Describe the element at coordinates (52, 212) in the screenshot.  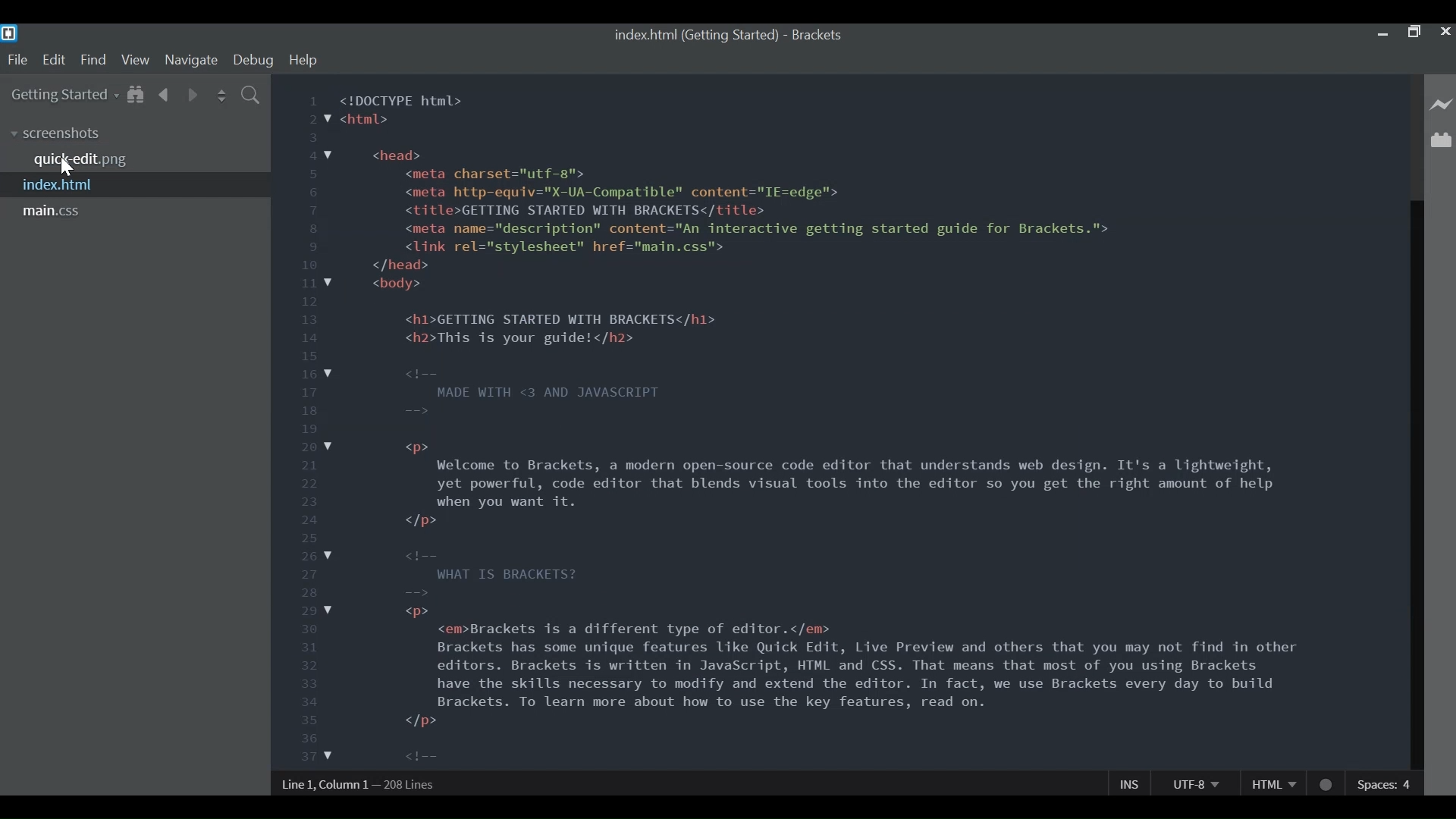
I see `main.css` at that location.